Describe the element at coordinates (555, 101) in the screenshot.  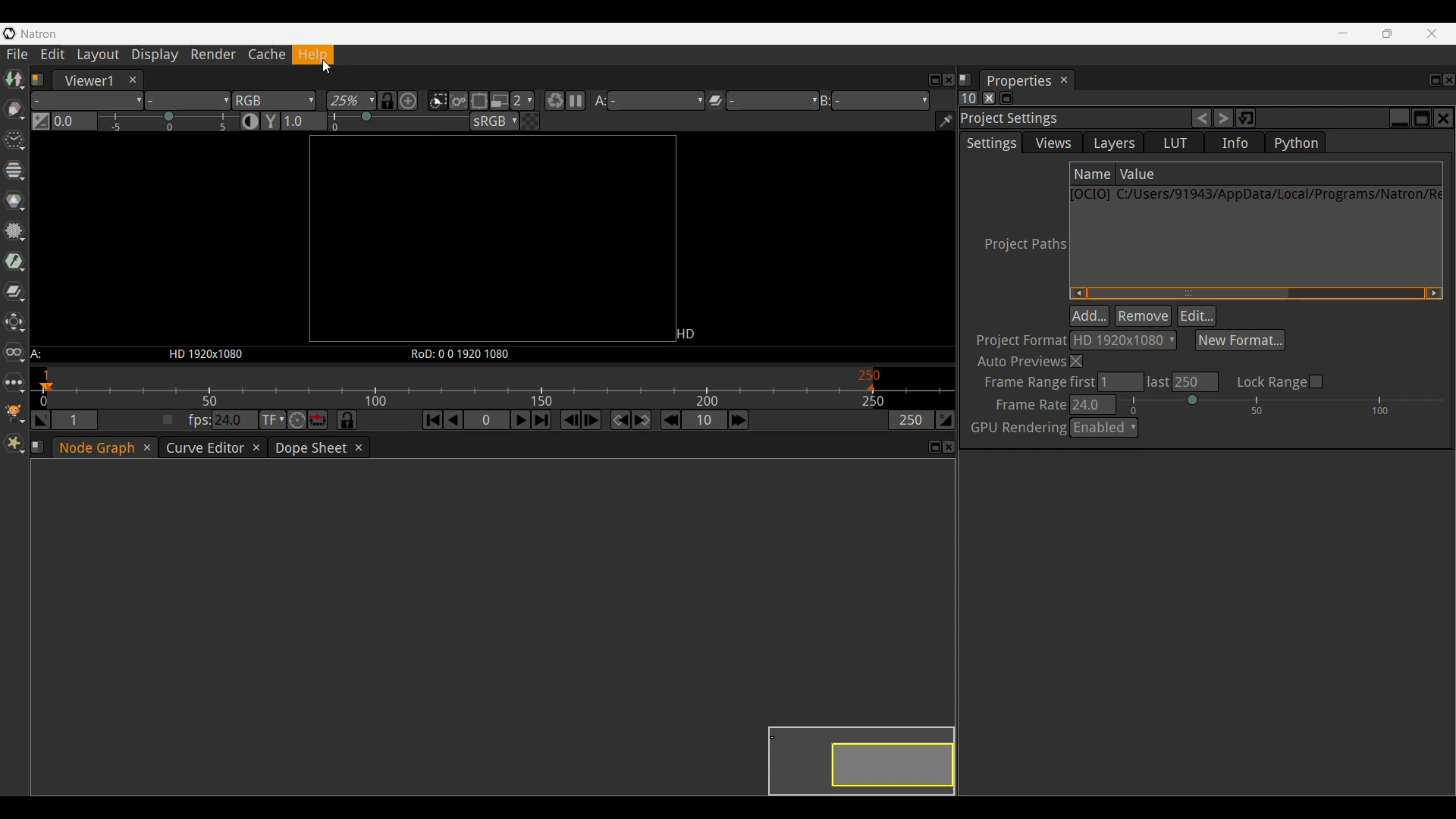
I see `Forces a new render of the current frame` at that location.